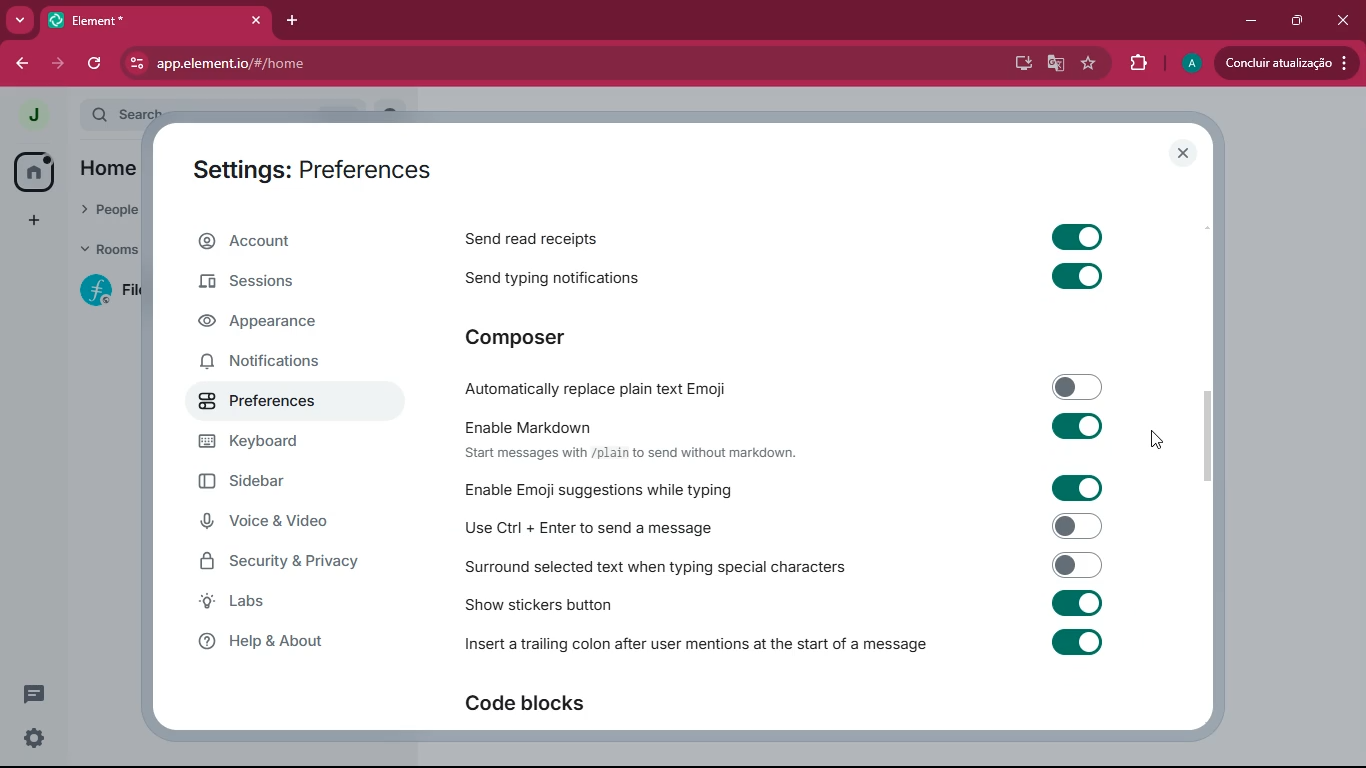 This screenshot has height=768, width=1366. Describe the element at coordinates (308, 170) in the screenshot. I see `Settings: Preferences` at that location.